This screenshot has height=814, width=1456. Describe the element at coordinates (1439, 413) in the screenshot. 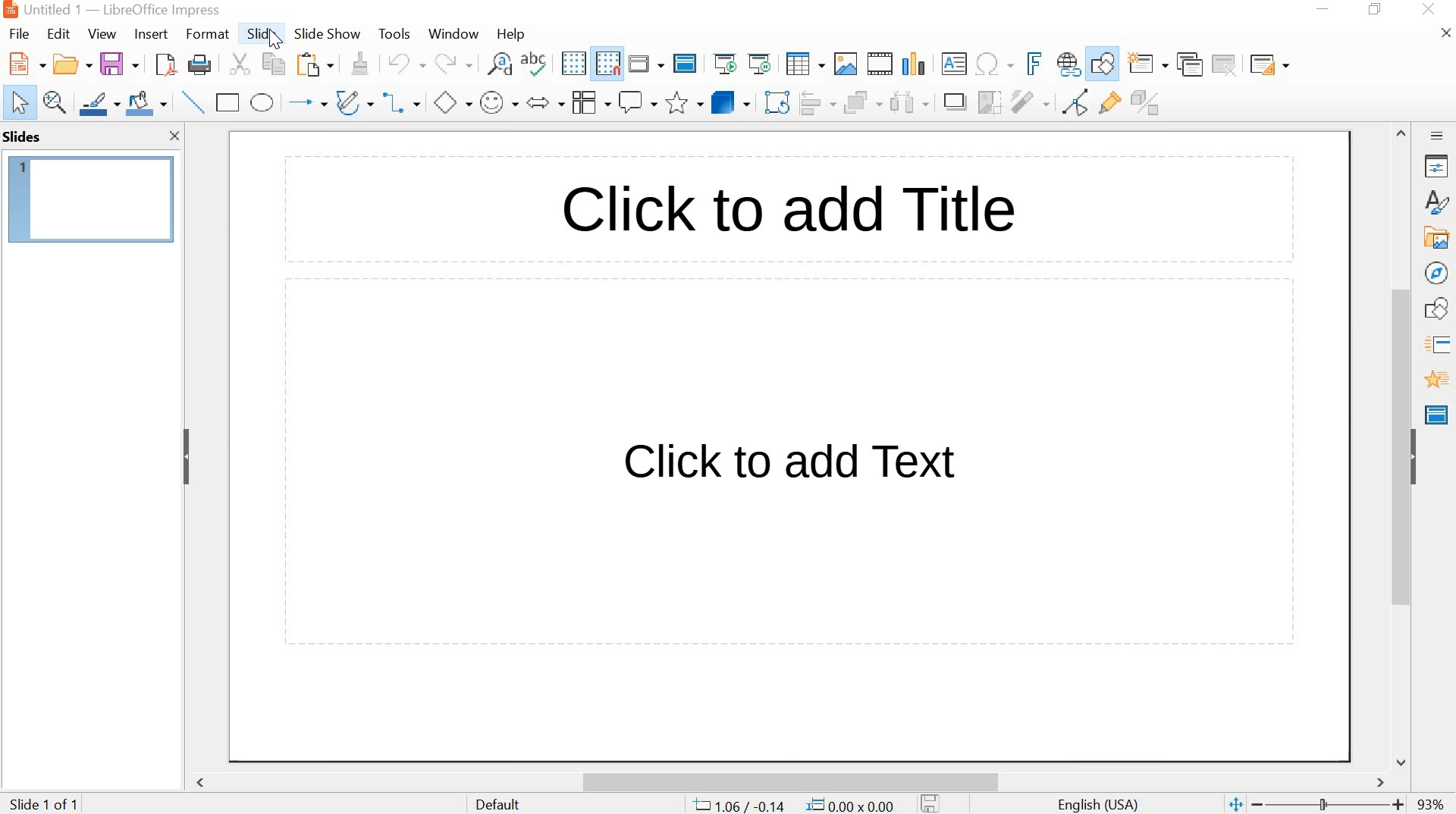

I see `Master slides` at that location.